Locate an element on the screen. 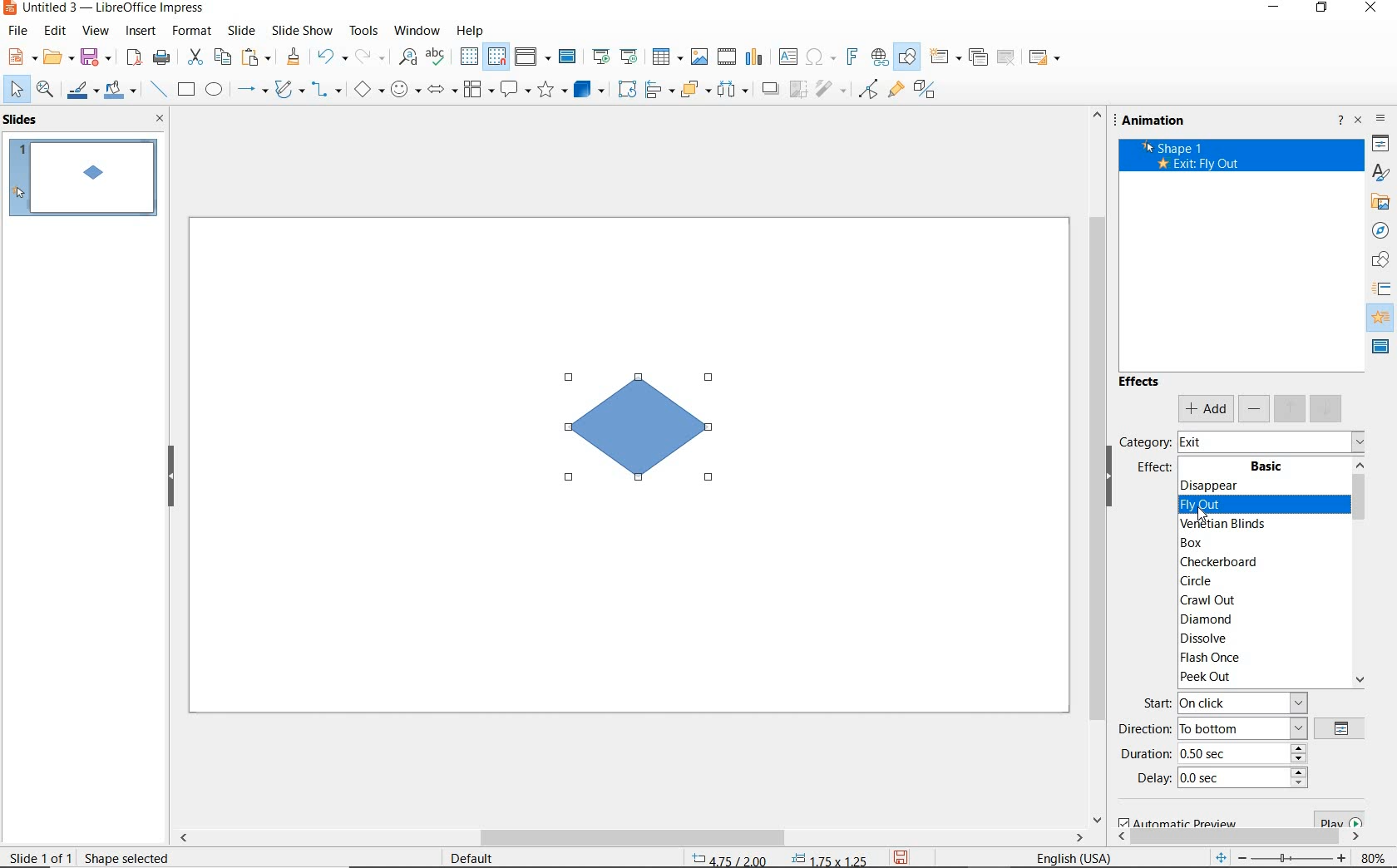 This screenshot has width=1397, height=868. select is located at coordinates (17, 91).